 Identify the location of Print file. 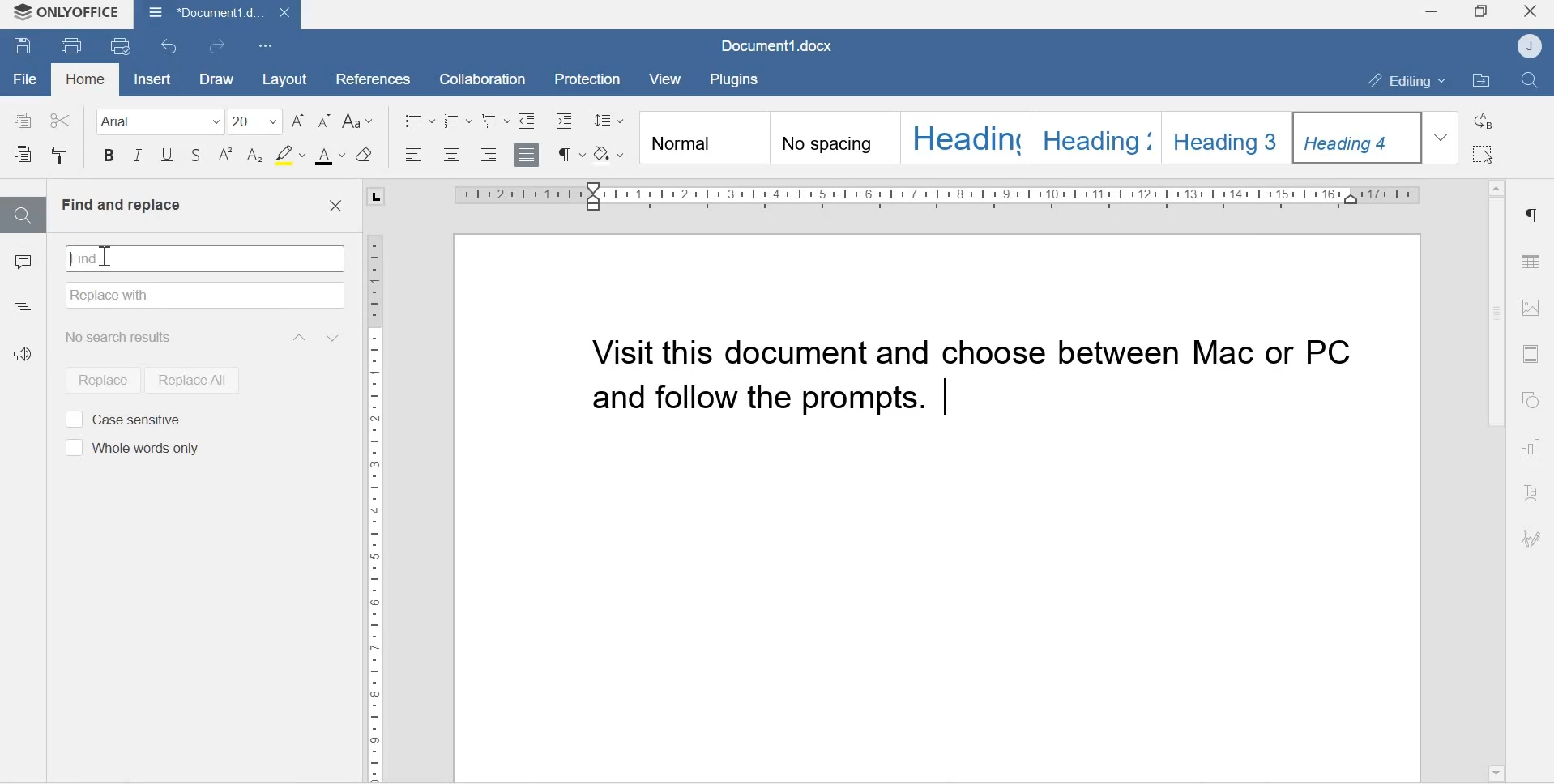
(73, 45).